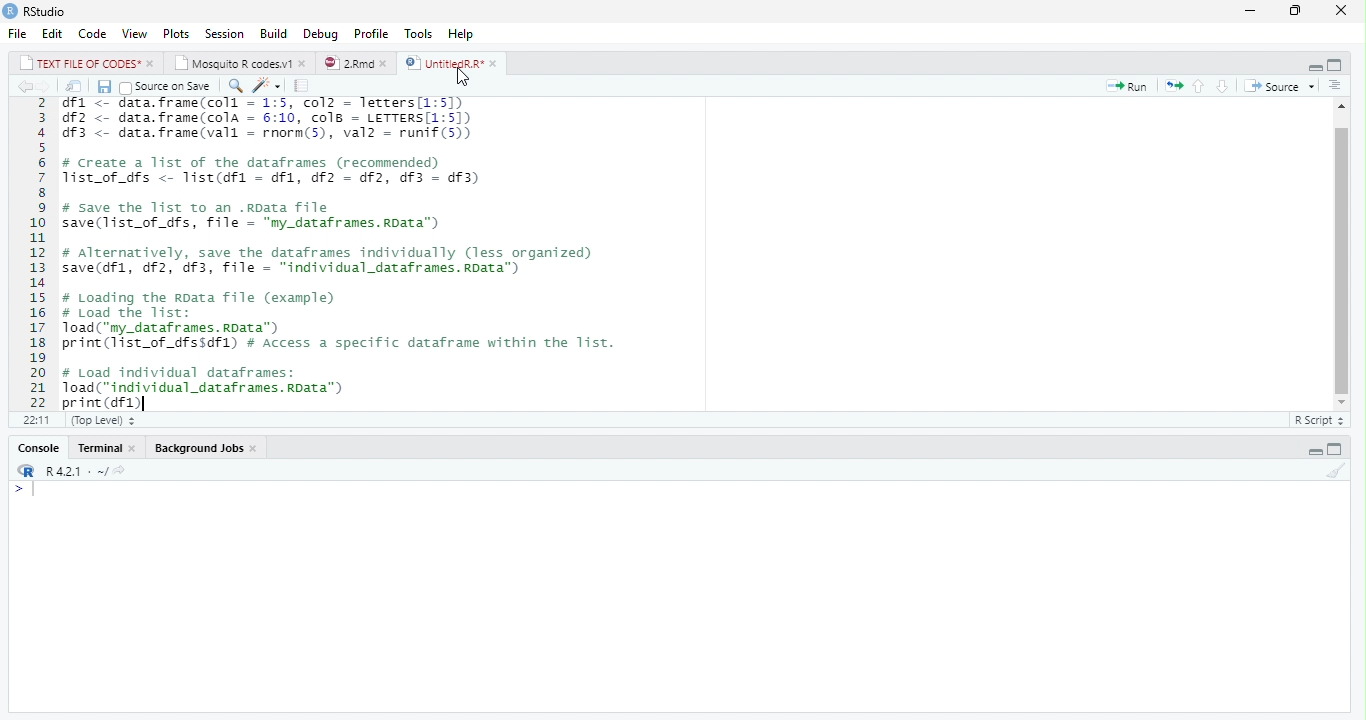 The image size is (1366, 720). I want to click on UntitiedR.R, so click(453, 63).